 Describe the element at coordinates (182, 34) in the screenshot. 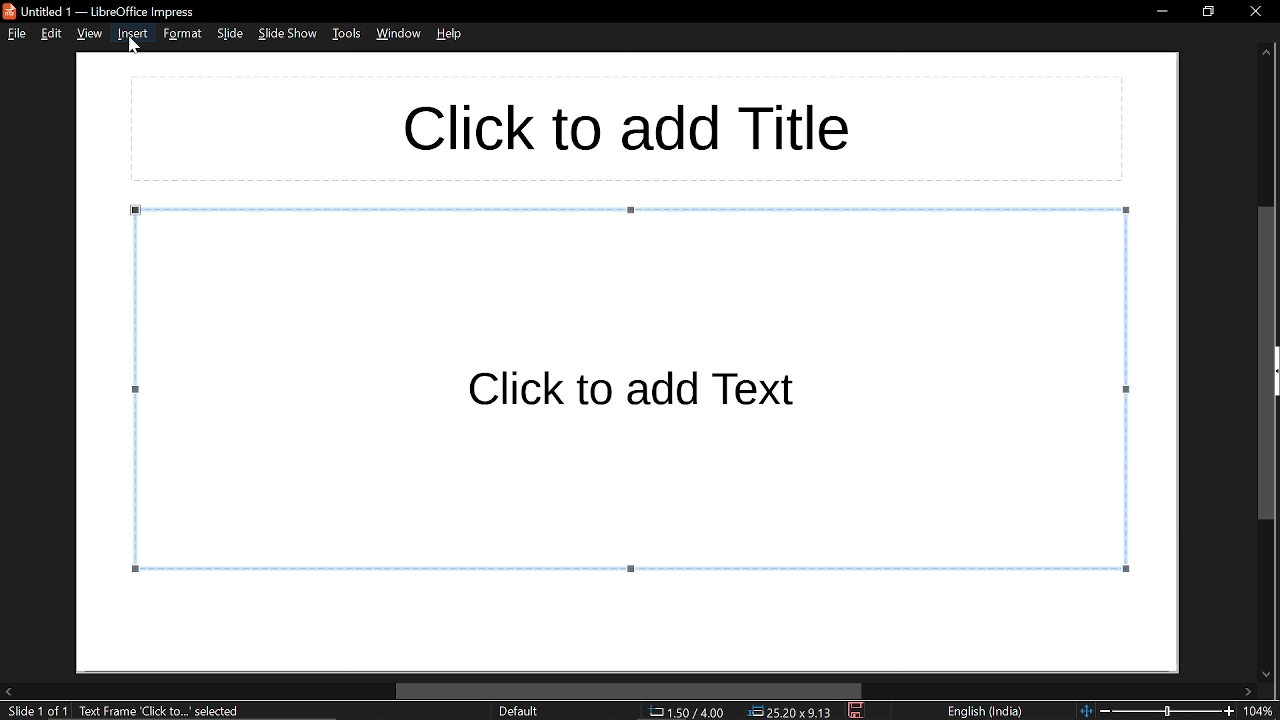

I see `format` at that location.